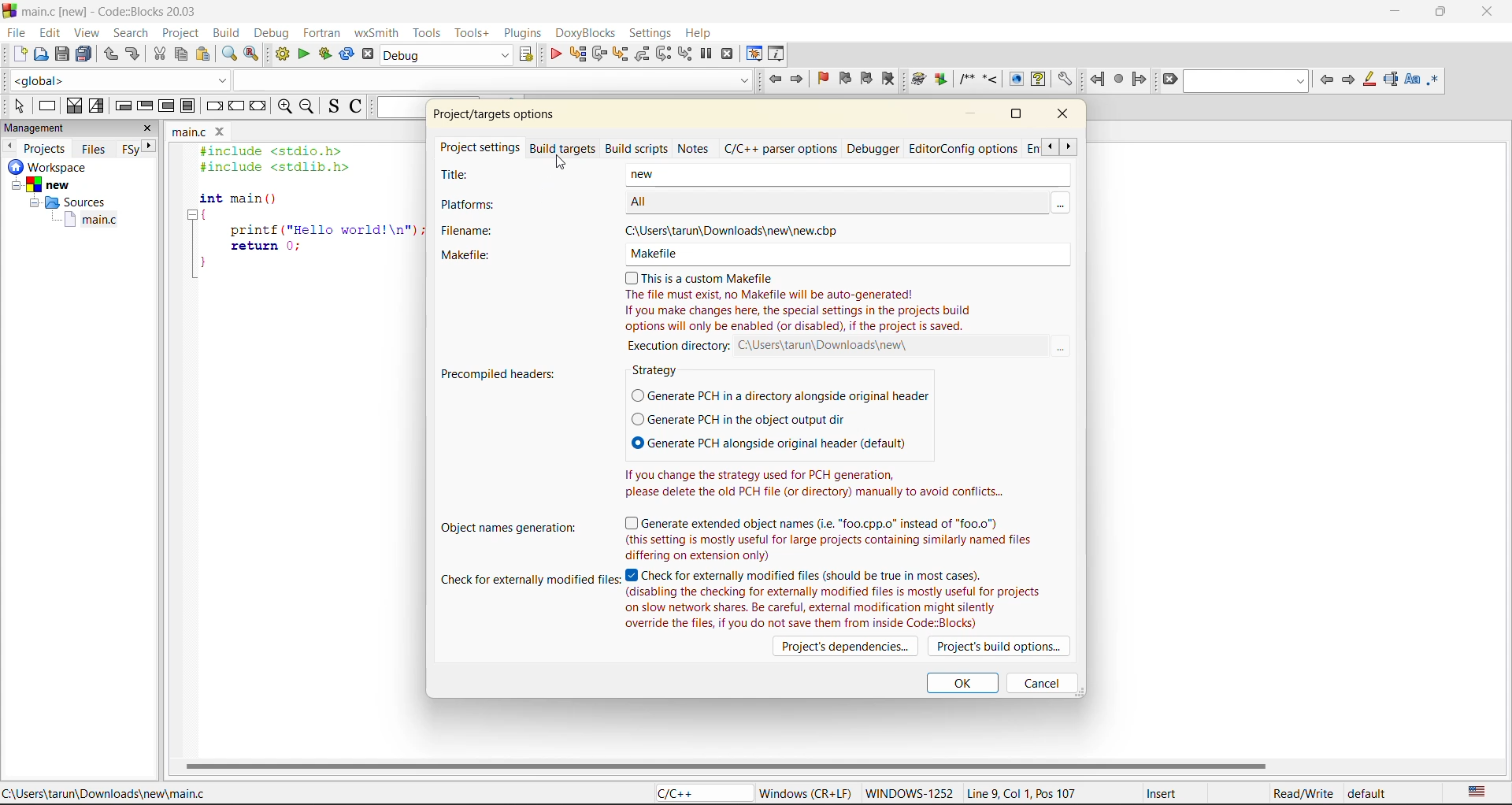 The image size is (1512, 805). Describe the element at coordinates (918, 80) in the screenshot. I see `Run doxywizard` at that location.